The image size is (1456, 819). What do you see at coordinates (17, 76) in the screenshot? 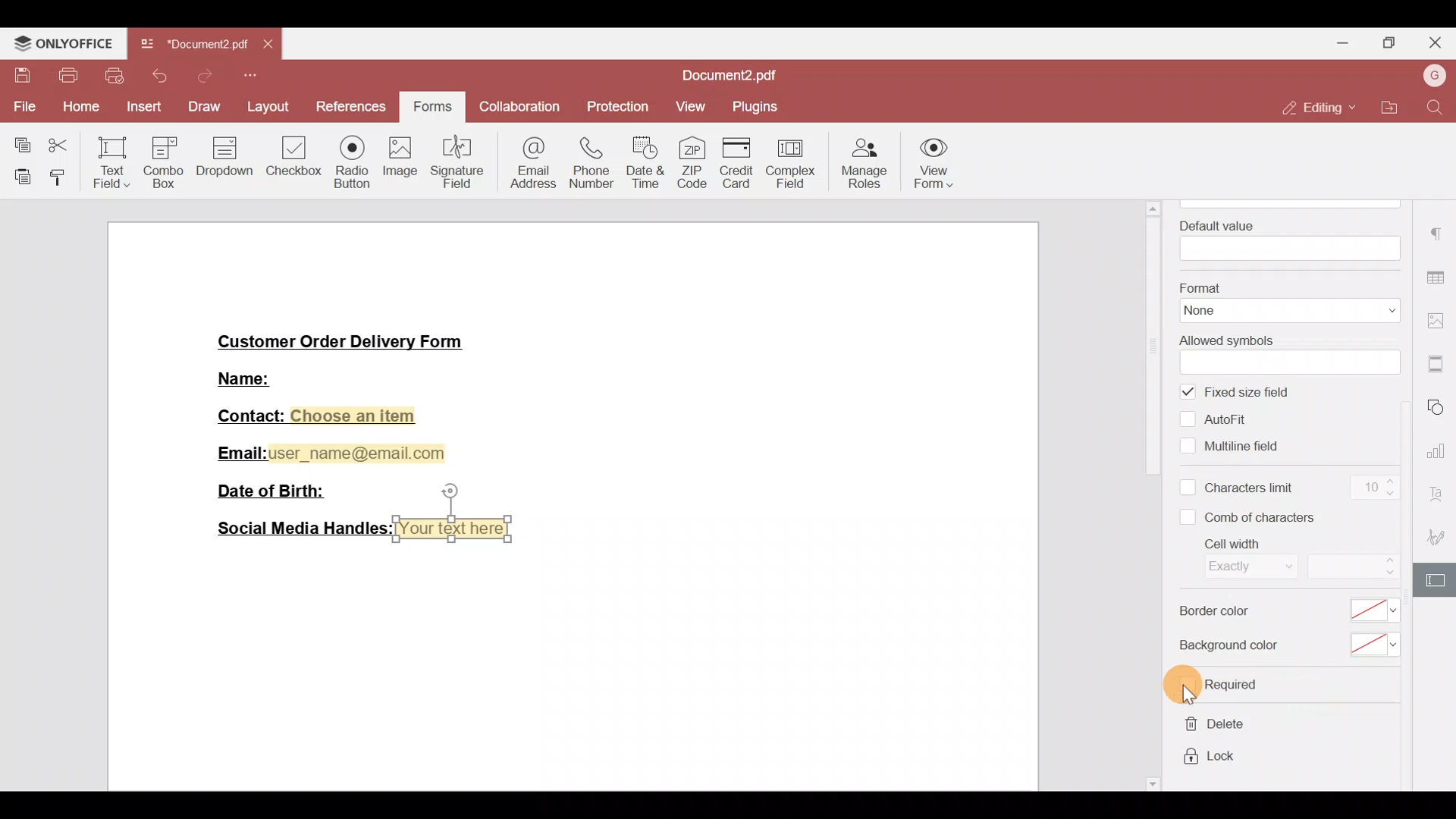
I see `Save` at bounding box center [17, 76].